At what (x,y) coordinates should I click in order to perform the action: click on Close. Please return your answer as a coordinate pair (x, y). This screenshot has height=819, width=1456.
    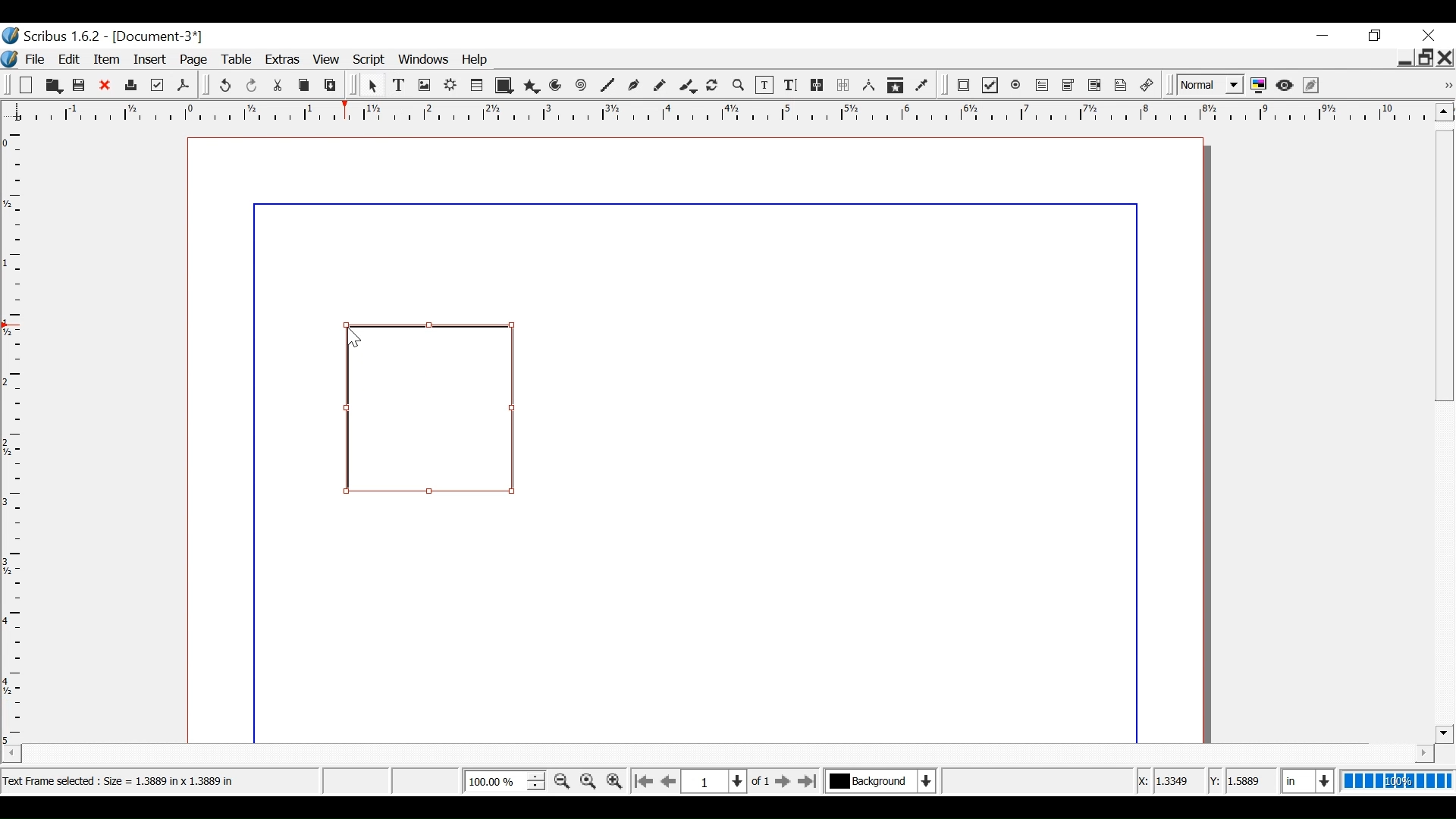
    Looking at the image, I should click on (1446, 57).